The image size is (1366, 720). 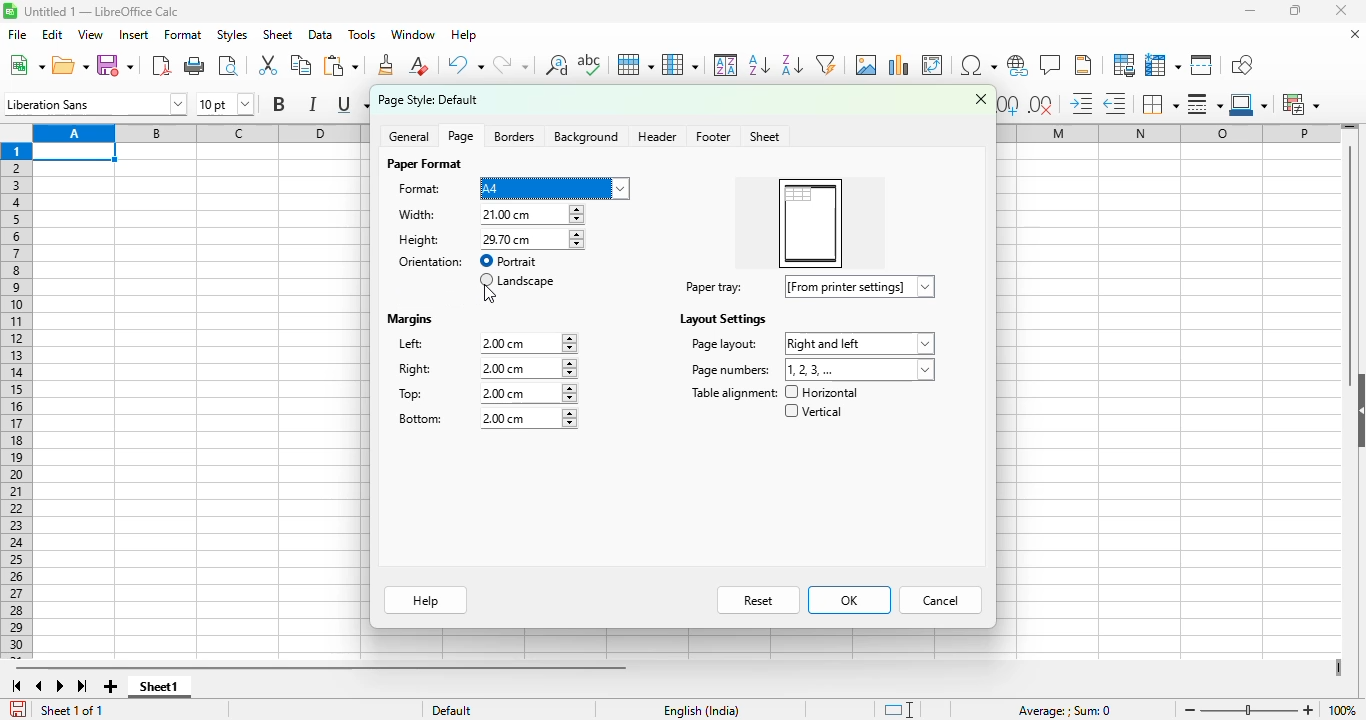 I want to click on text language, so click(x=702, y=711).